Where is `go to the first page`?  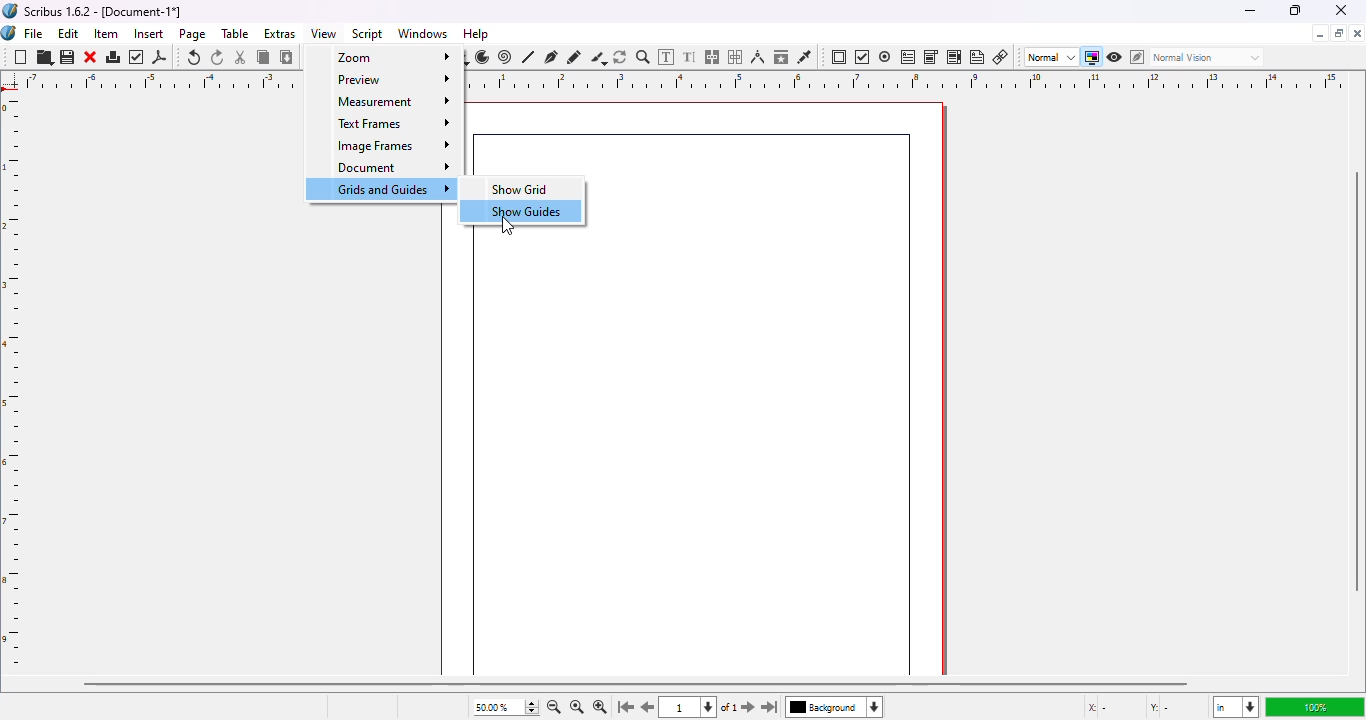
go to the first page is located at coordinates (626, 708).